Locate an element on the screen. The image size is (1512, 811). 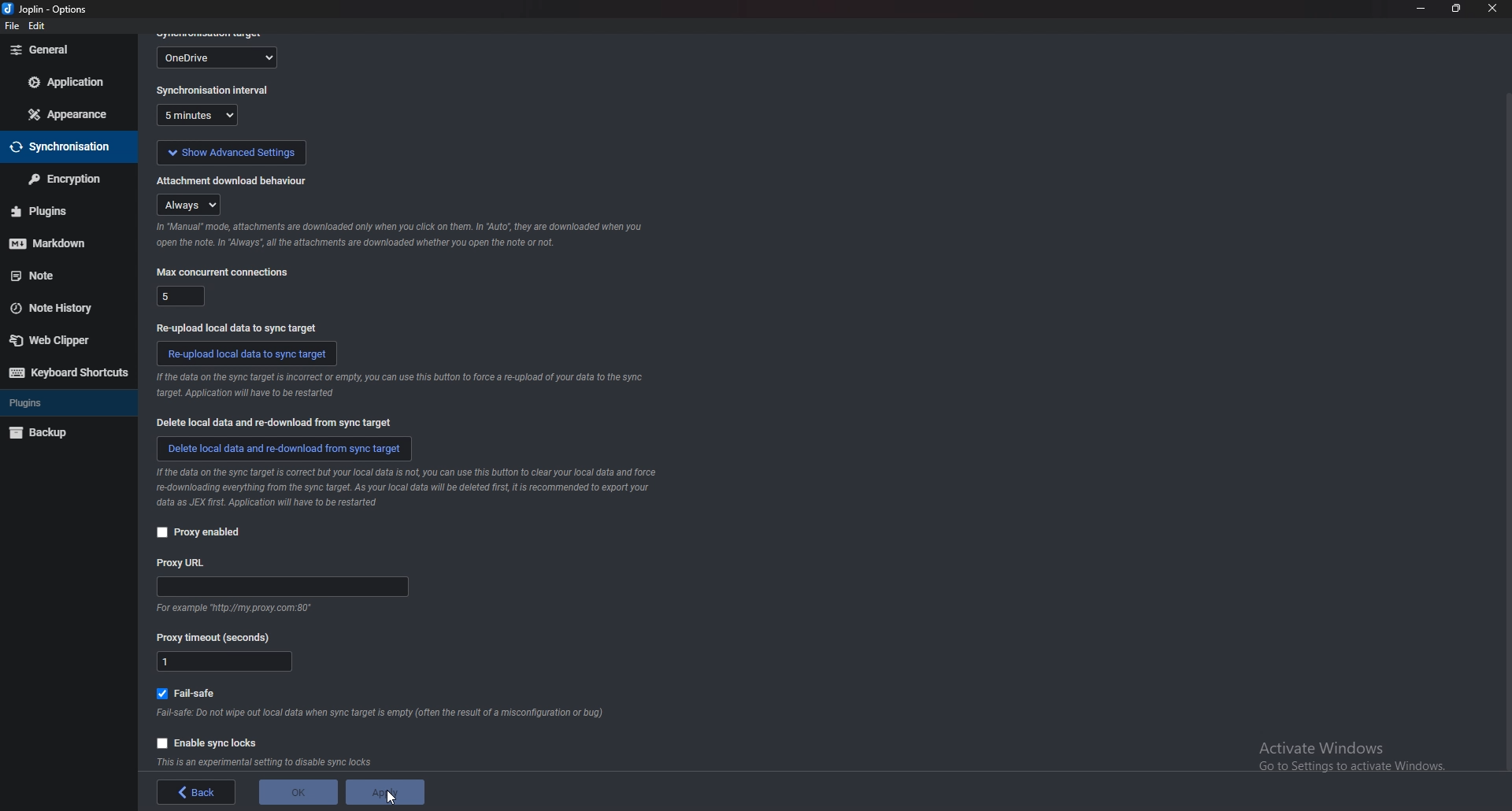
delete local data is located at coordinates (284, 447).